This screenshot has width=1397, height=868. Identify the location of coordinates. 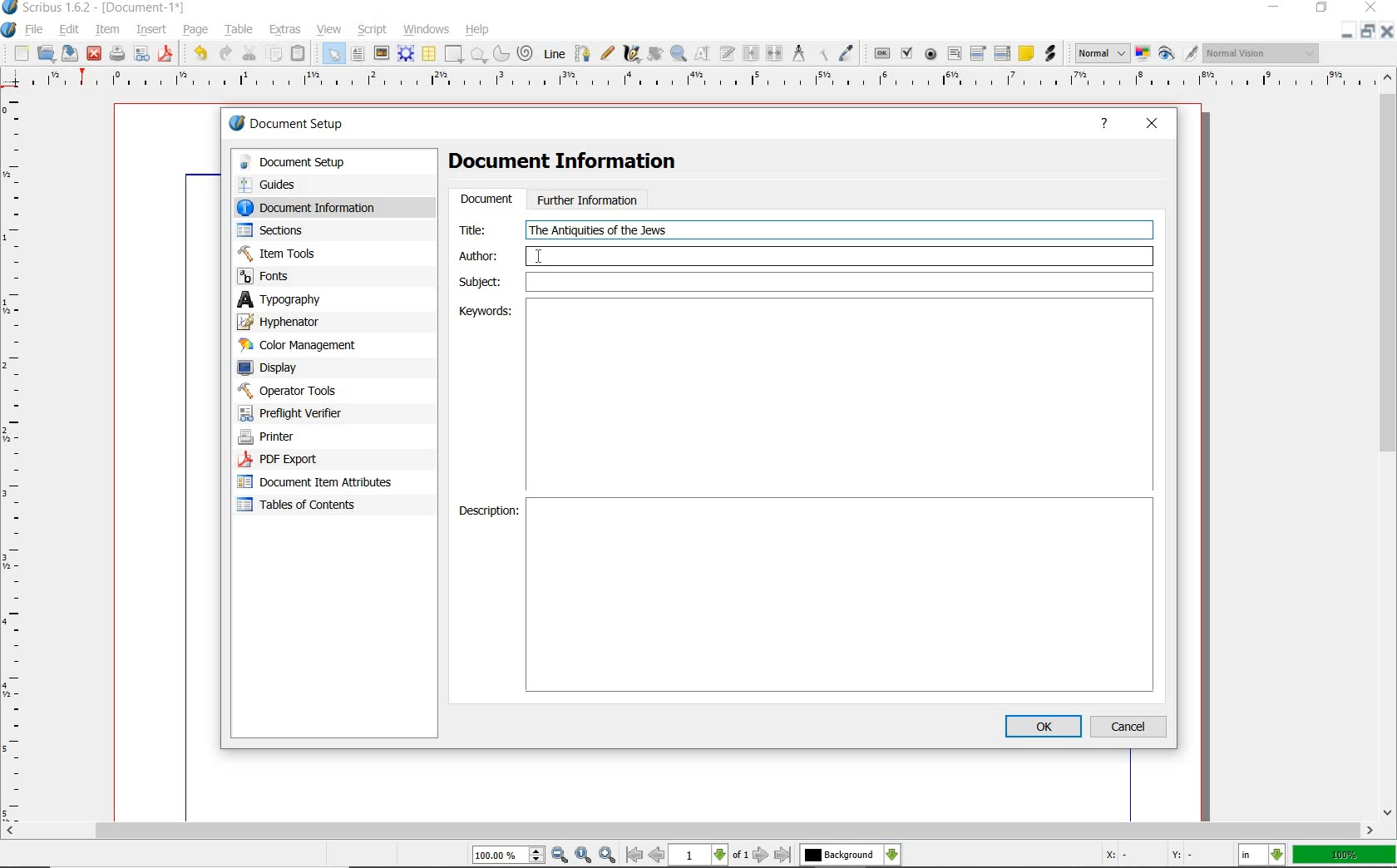
(1147, 856).